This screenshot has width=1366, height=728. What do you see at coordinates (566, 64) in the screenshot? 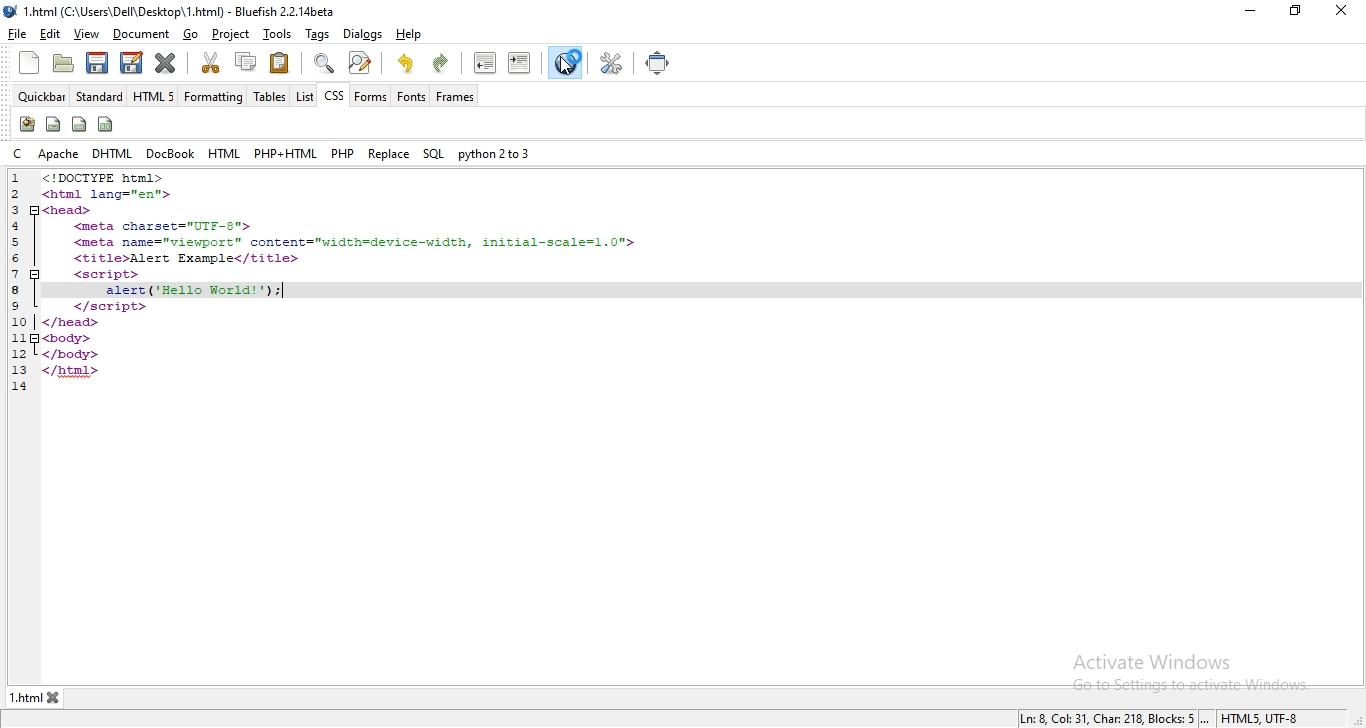
I see `view in browser` at bounding box center [566, 64].